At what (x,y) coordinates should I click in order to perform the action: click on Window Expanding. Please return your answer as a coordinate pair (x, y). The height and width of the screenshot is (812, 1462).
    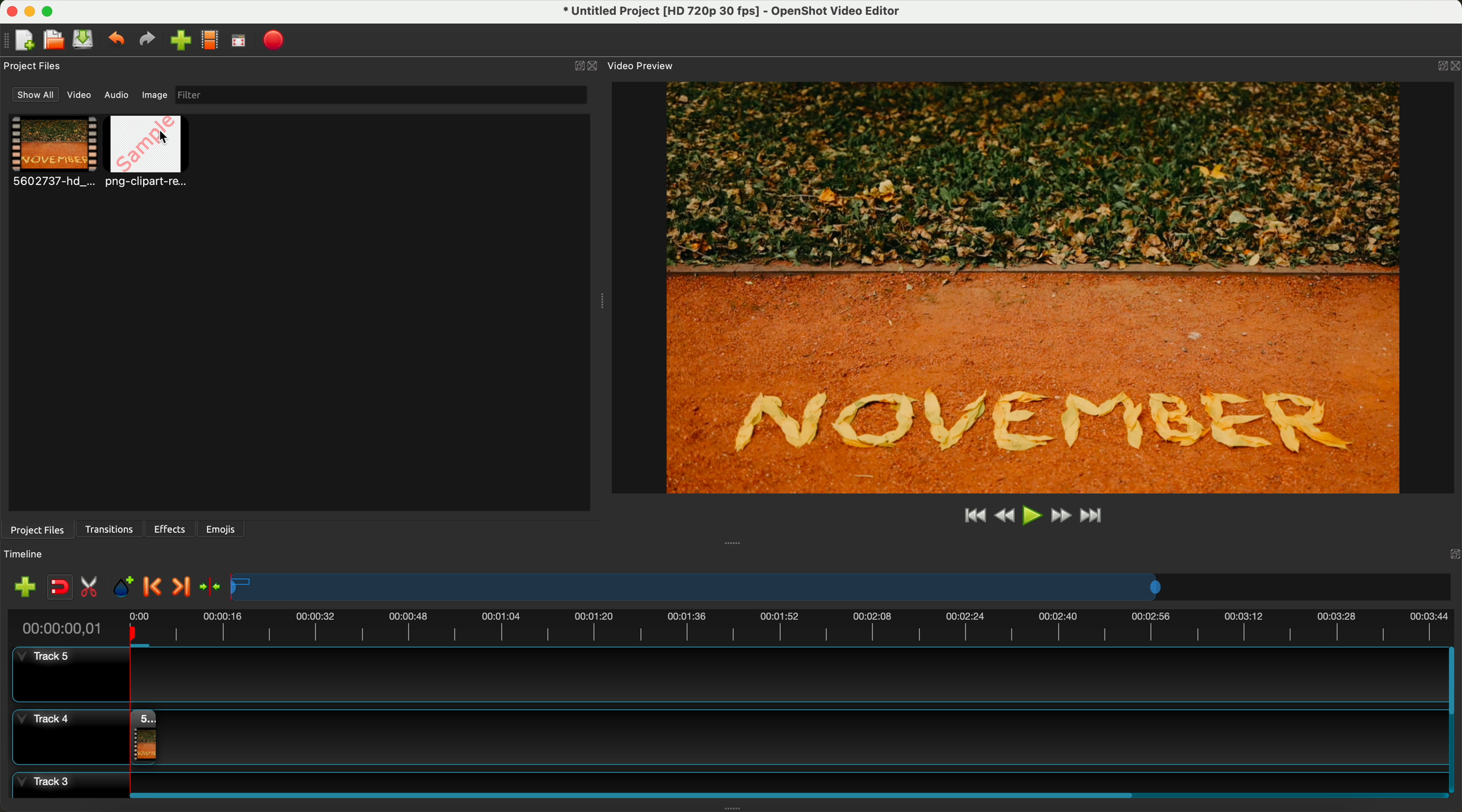
    Looking at the image, I should click on (734, 807).